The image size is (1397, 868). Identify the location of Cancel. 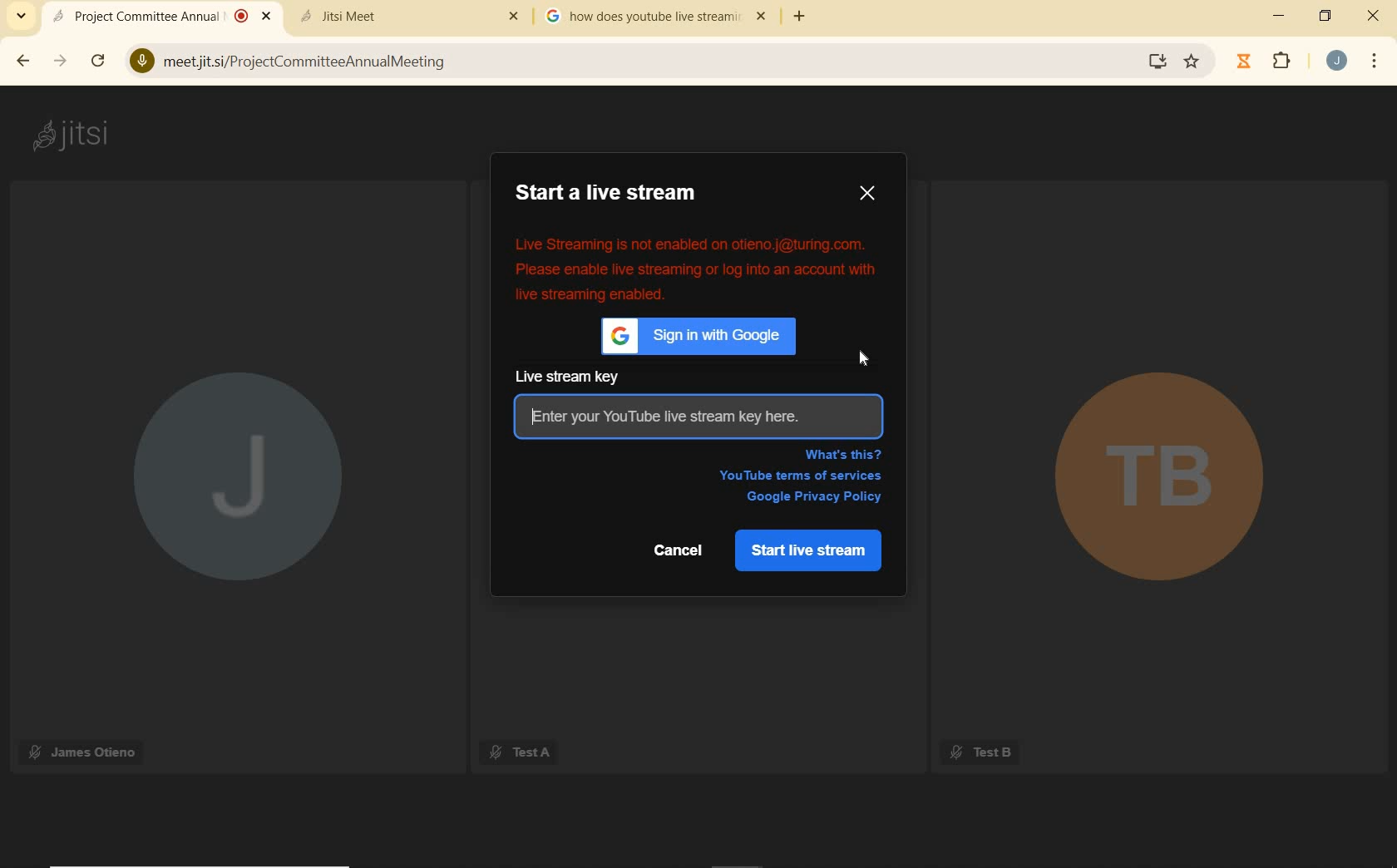
(681, 554).